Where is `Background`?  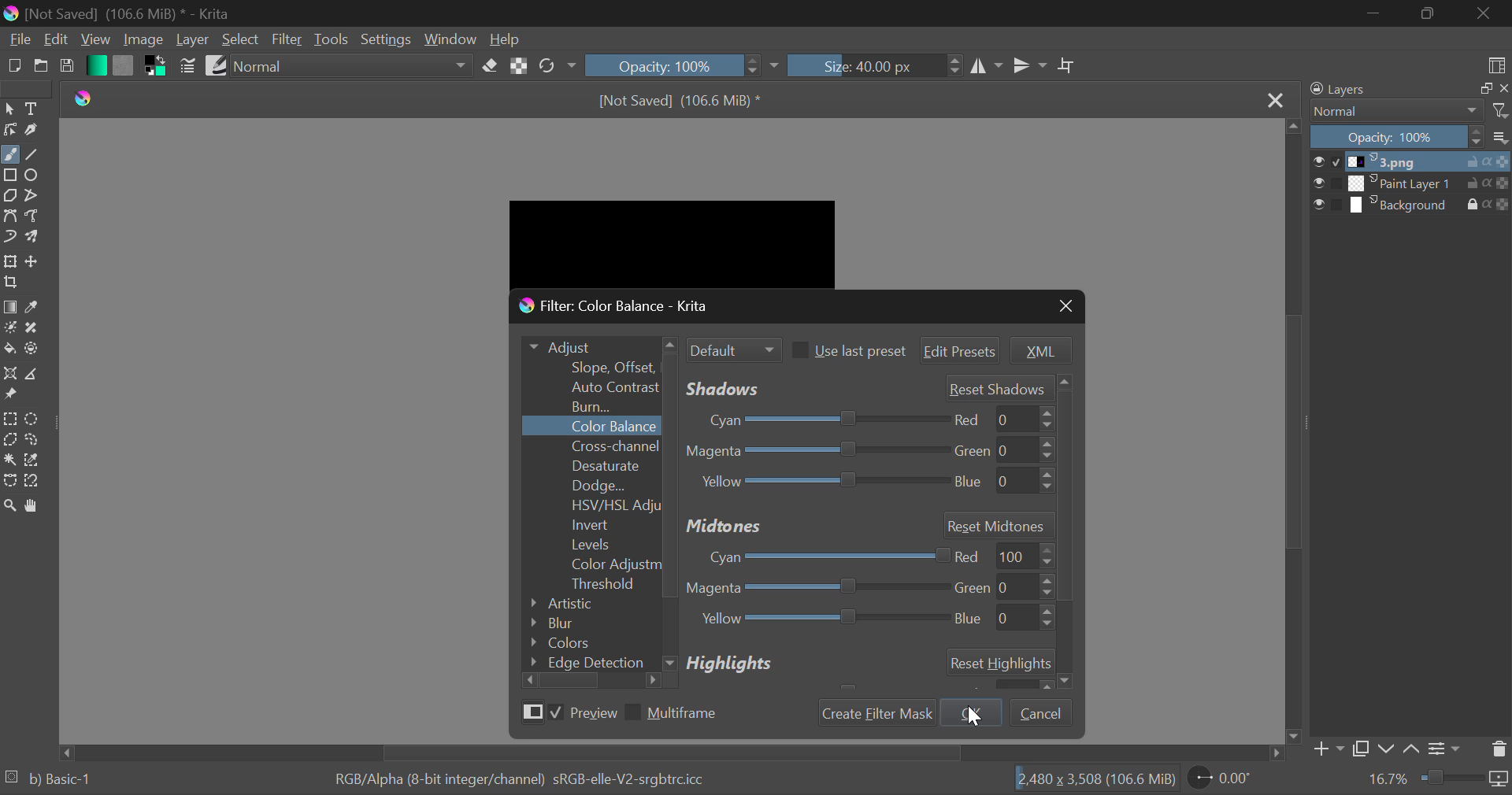
Background is located at coordinates (1411, 207).